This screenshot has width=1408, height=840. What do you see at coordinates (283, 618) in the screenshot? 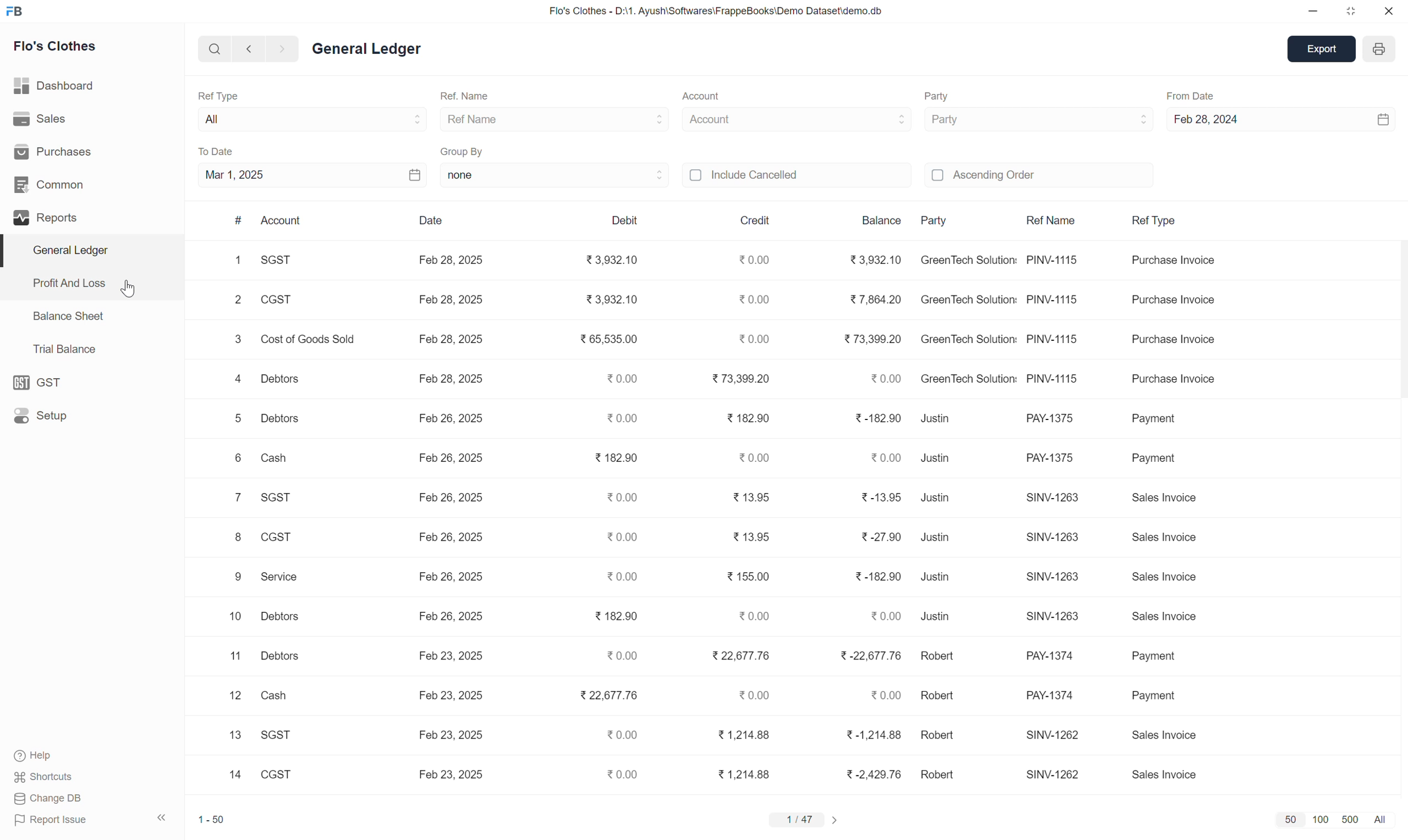
I see `Debtors` at bounding box center [283, 618].